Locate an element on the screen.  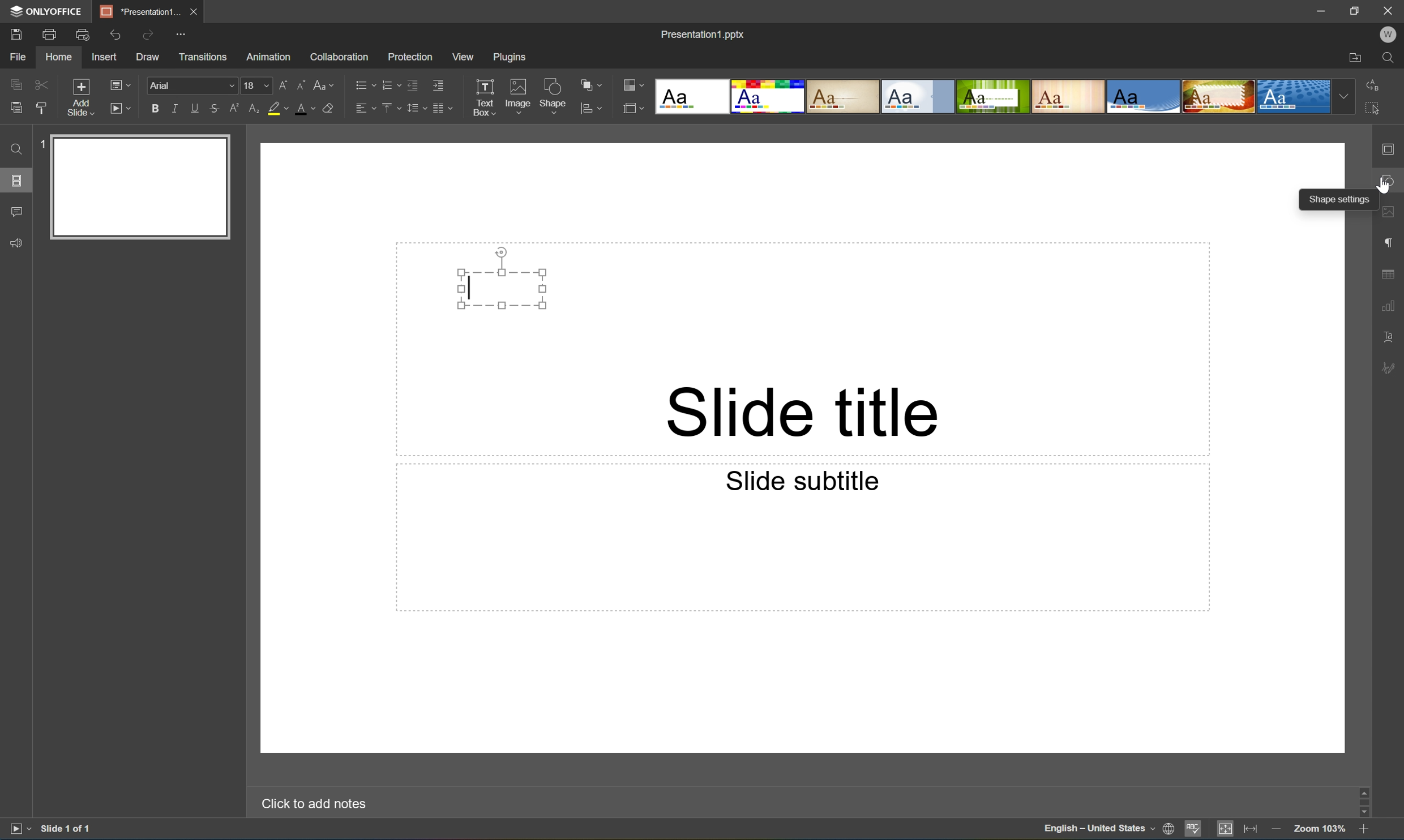
Increase indent is located at coordinates (437, 84).